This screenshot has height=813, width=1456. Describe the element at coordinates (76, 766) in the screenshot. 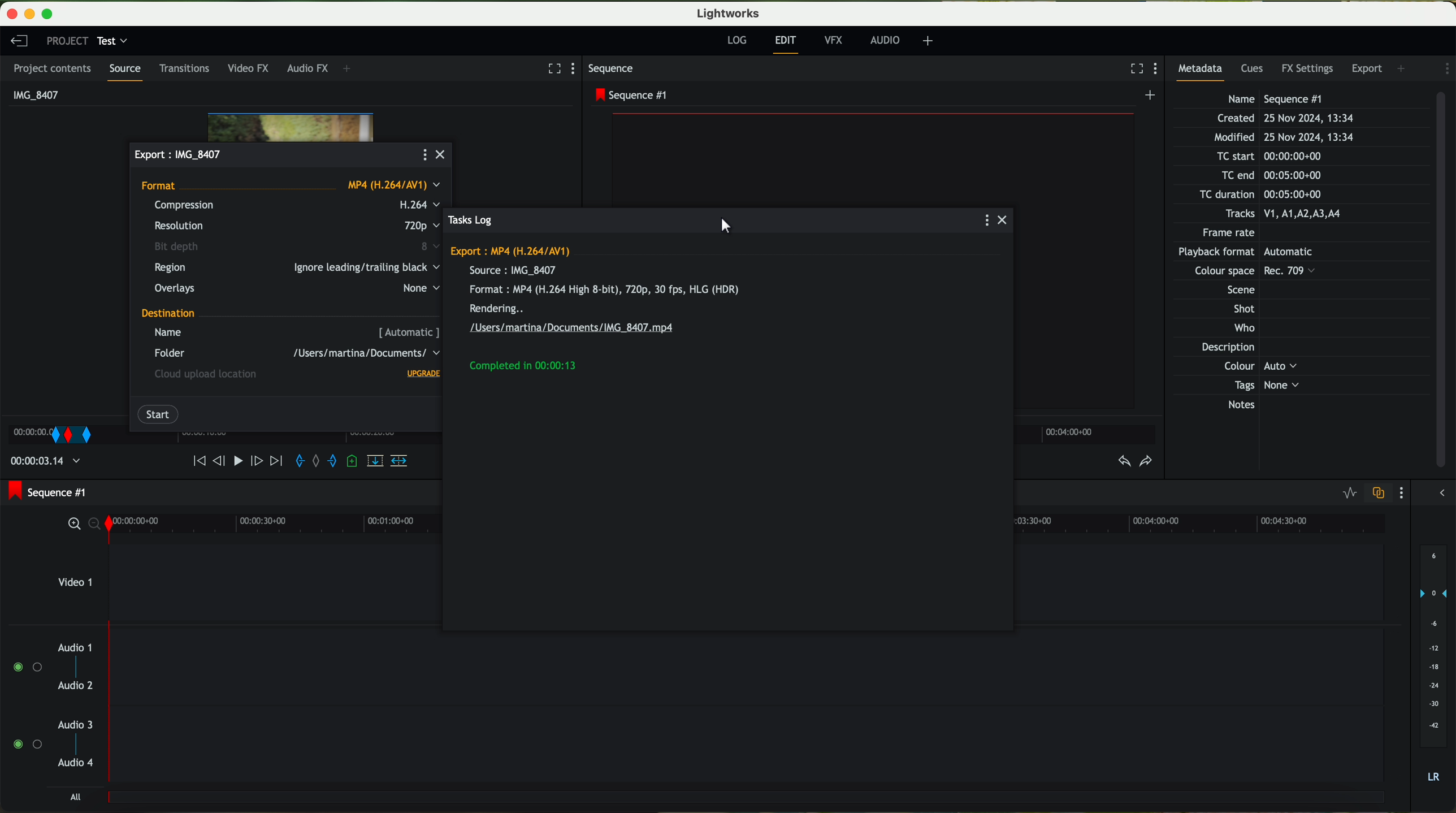

I see `audio 4` at that location.